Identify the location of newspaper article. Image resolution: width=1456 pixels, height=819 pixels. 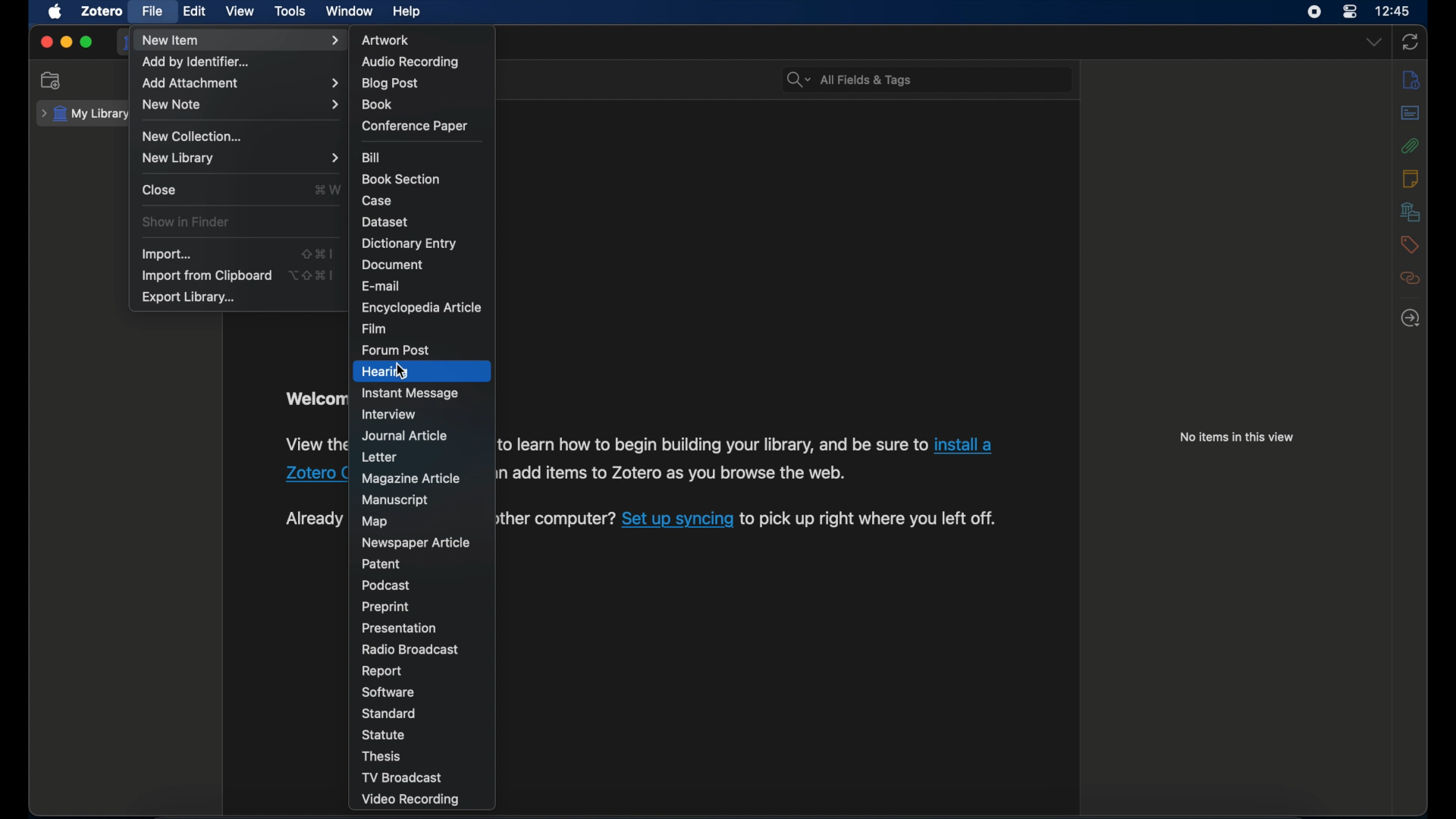
(417, 544).